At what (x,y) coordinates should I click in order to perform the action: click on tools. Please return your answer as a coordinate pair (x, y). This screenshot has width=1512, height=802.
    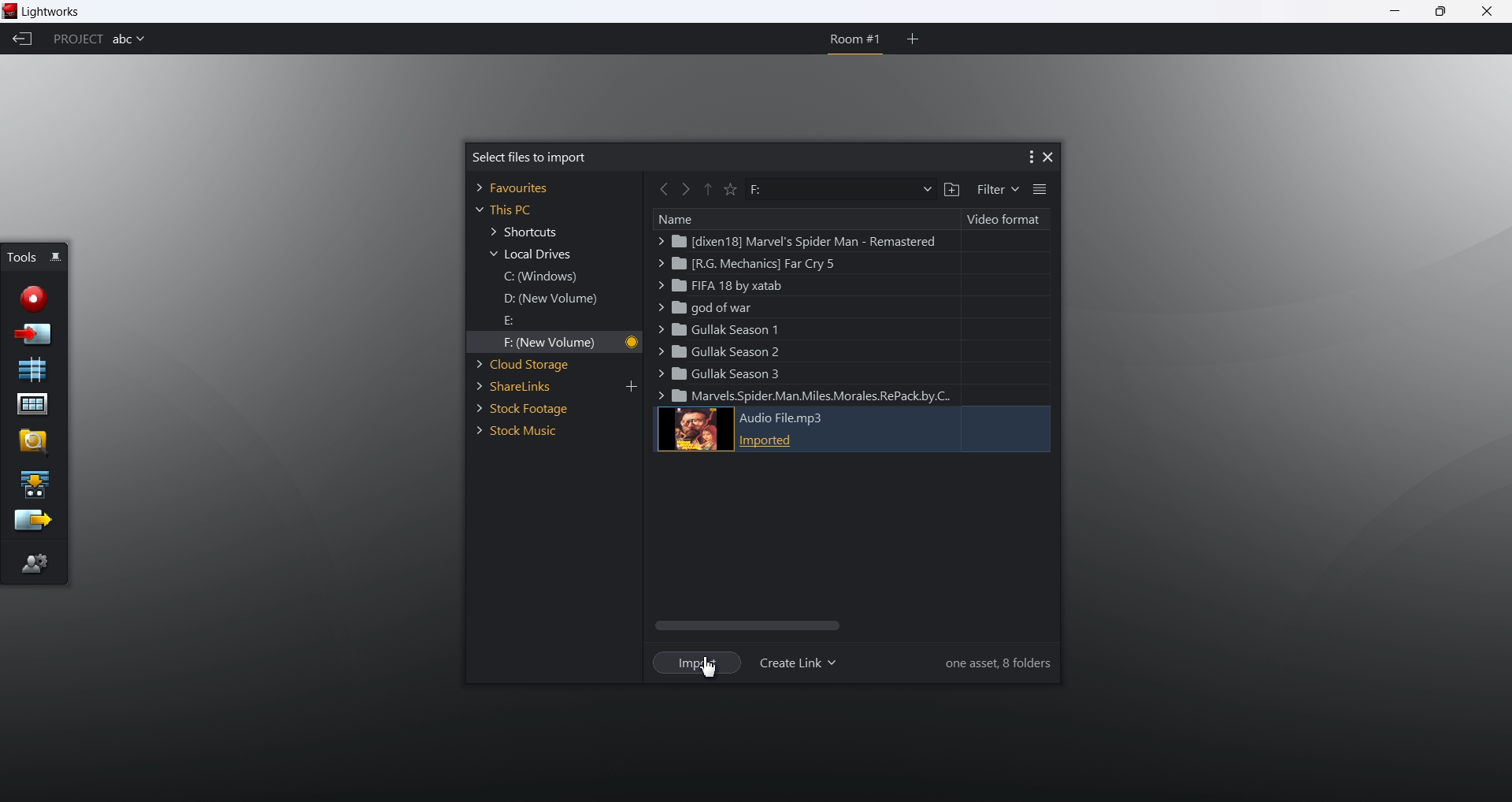
    Looking at the image, I should click on (21, 256).